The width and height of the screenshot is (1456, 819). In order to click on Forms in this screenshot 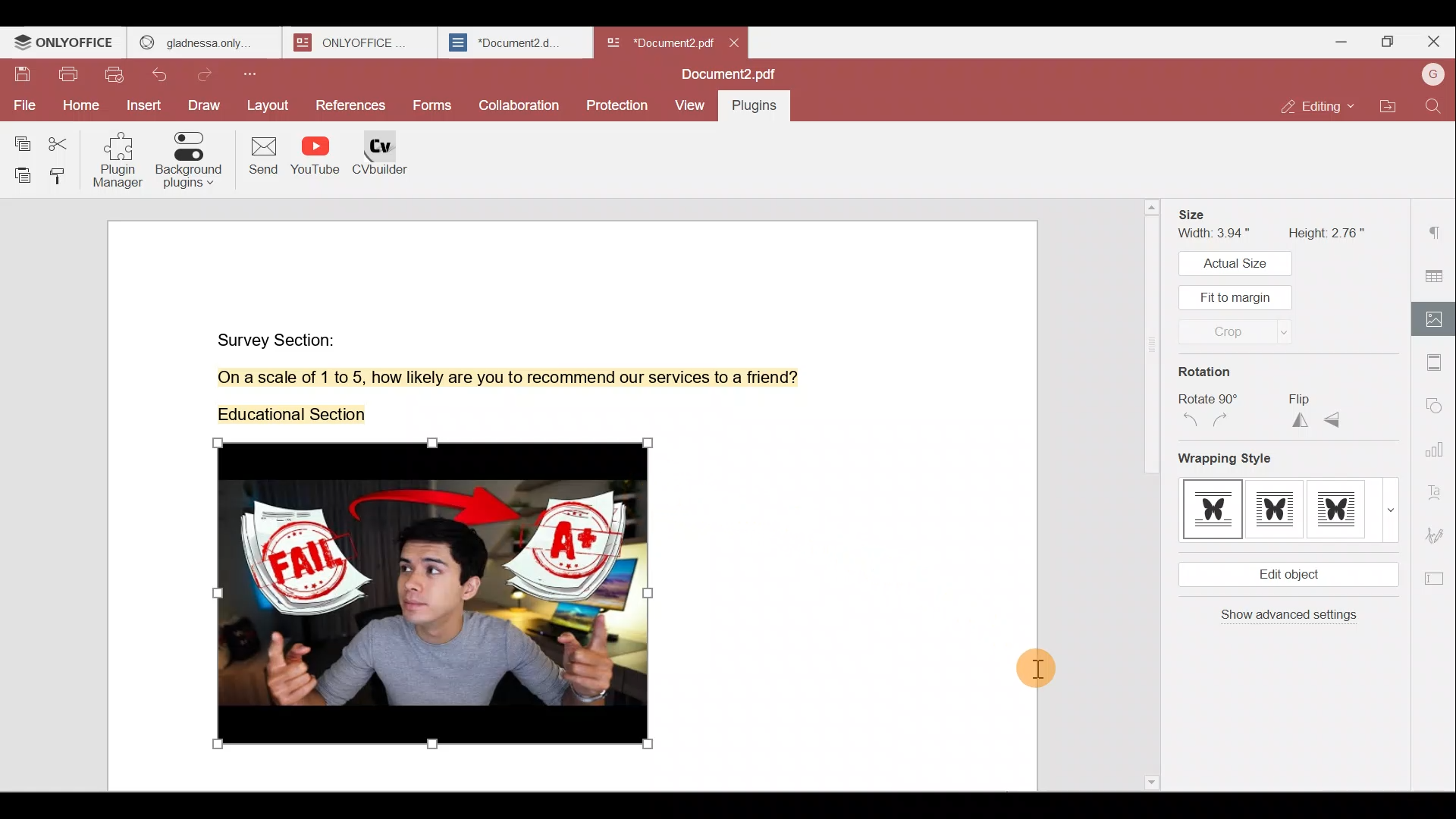, I will do `click(434, 106)`.